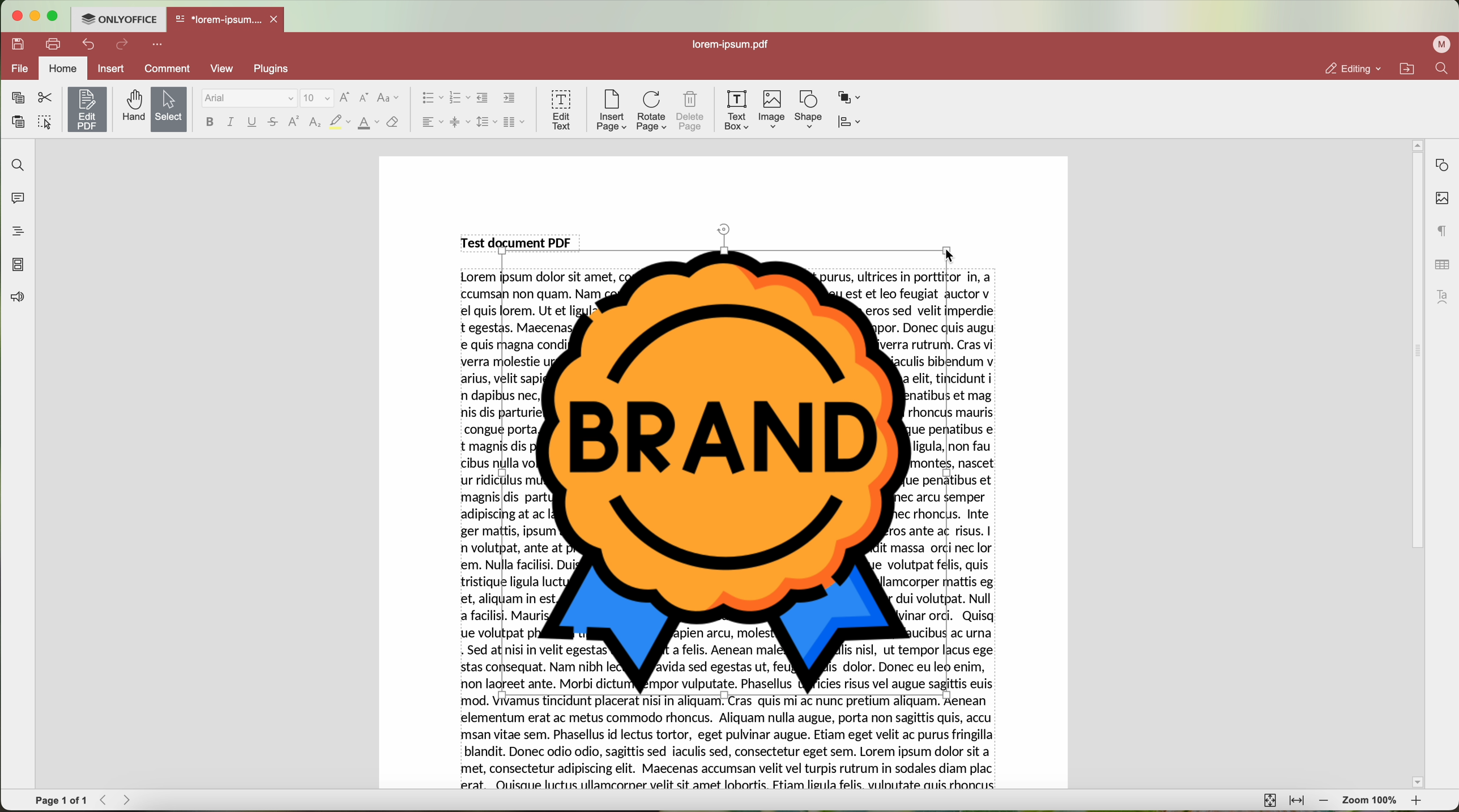  Describe the element at coordinates (483, 98) in the screenshot. I see `decrease indent` at that location.